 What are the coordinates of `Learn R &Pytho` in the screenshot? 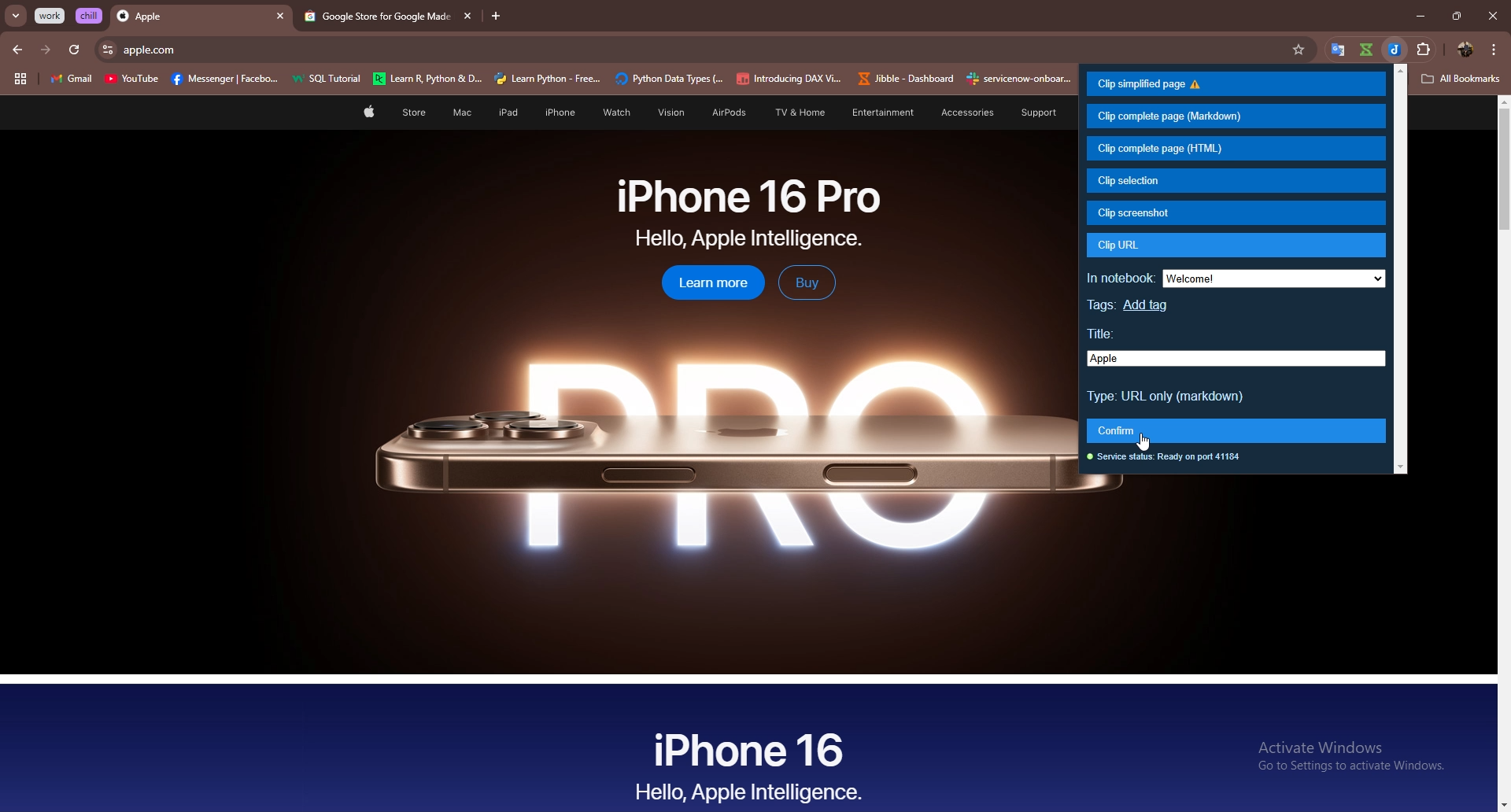 It's located at (428, 79).